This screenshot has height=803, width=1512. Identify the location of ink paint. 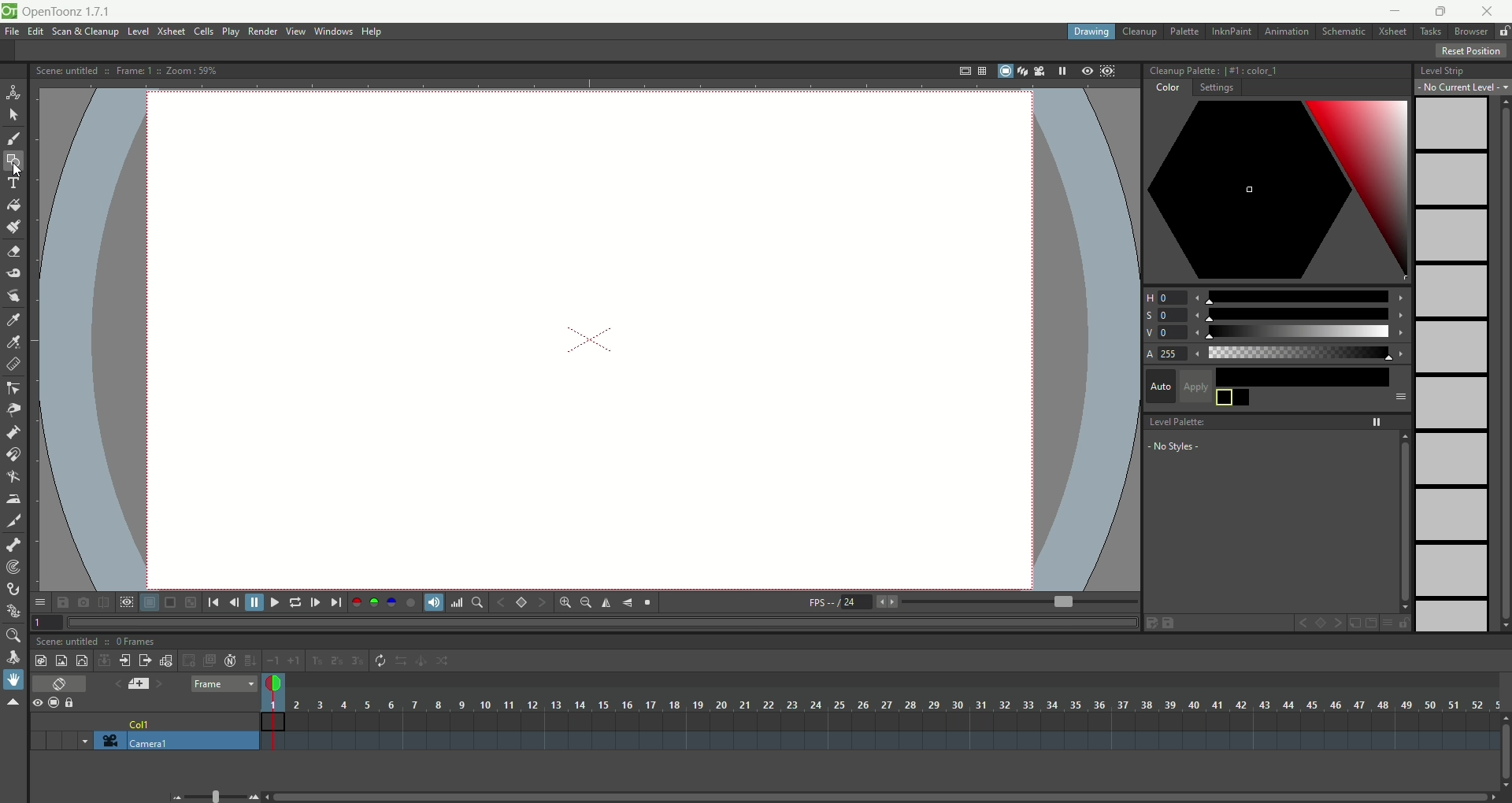
(1232, 31).